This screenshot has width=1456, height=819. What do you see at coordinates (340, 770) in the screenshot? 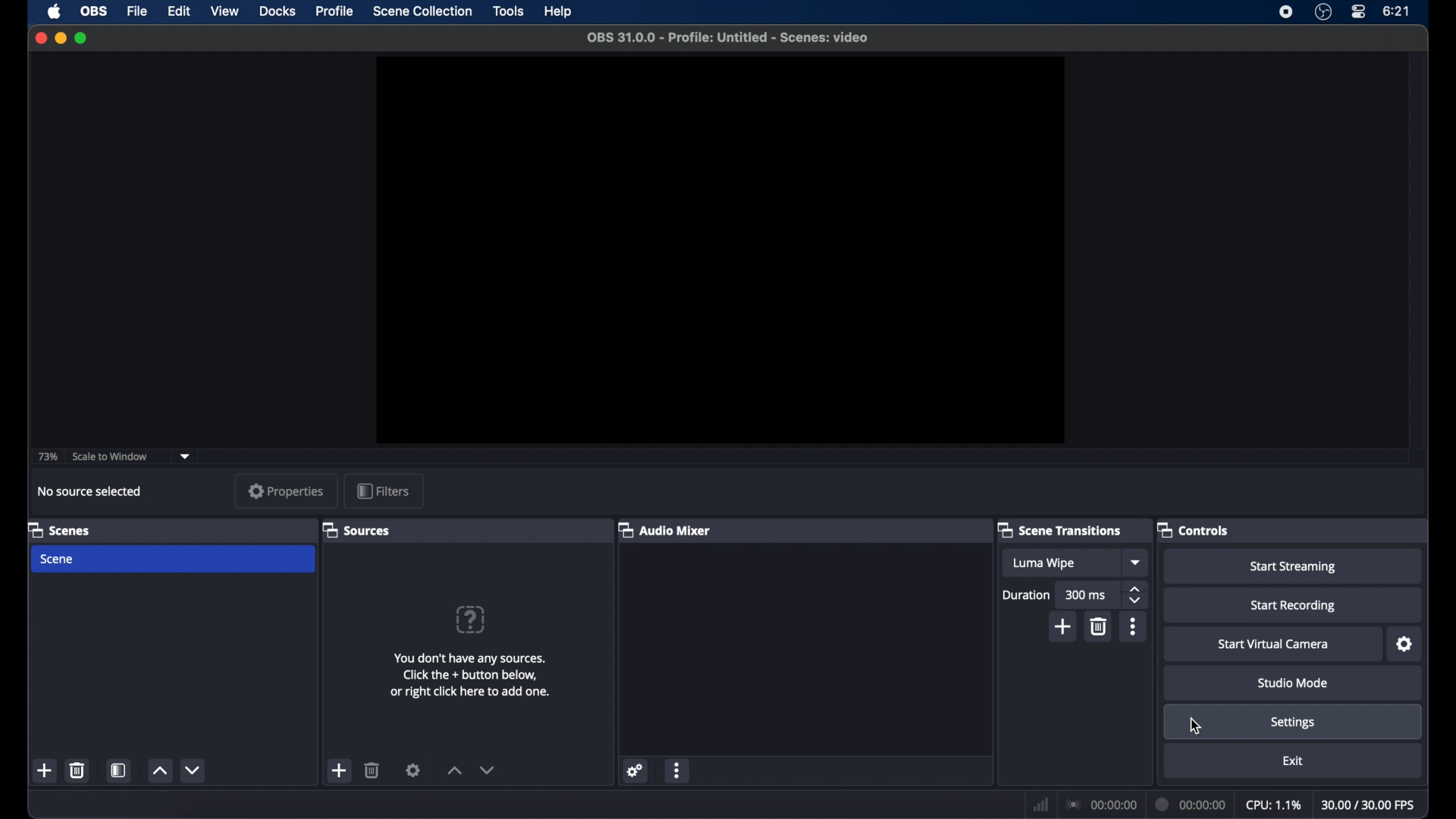
I see `add` at bounding box center [340, 770].